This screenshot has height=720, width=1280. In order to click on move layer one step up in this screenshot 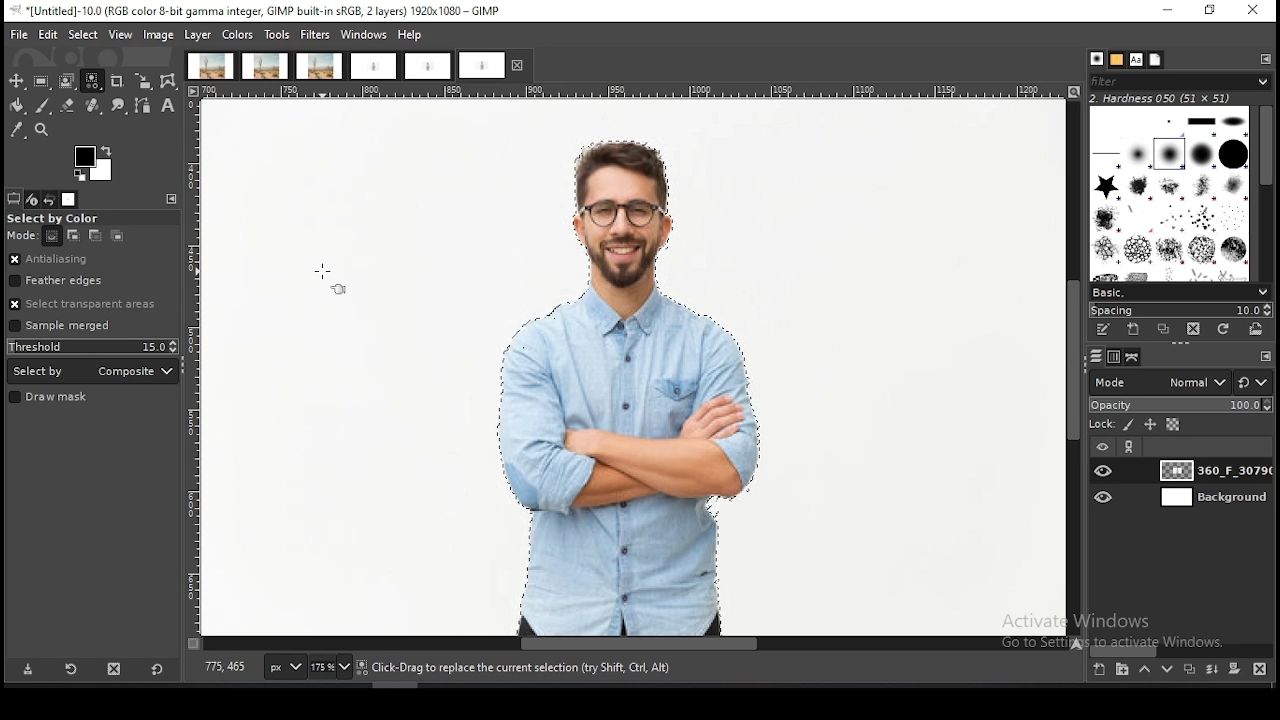, I will do `click(1144, 669)`.